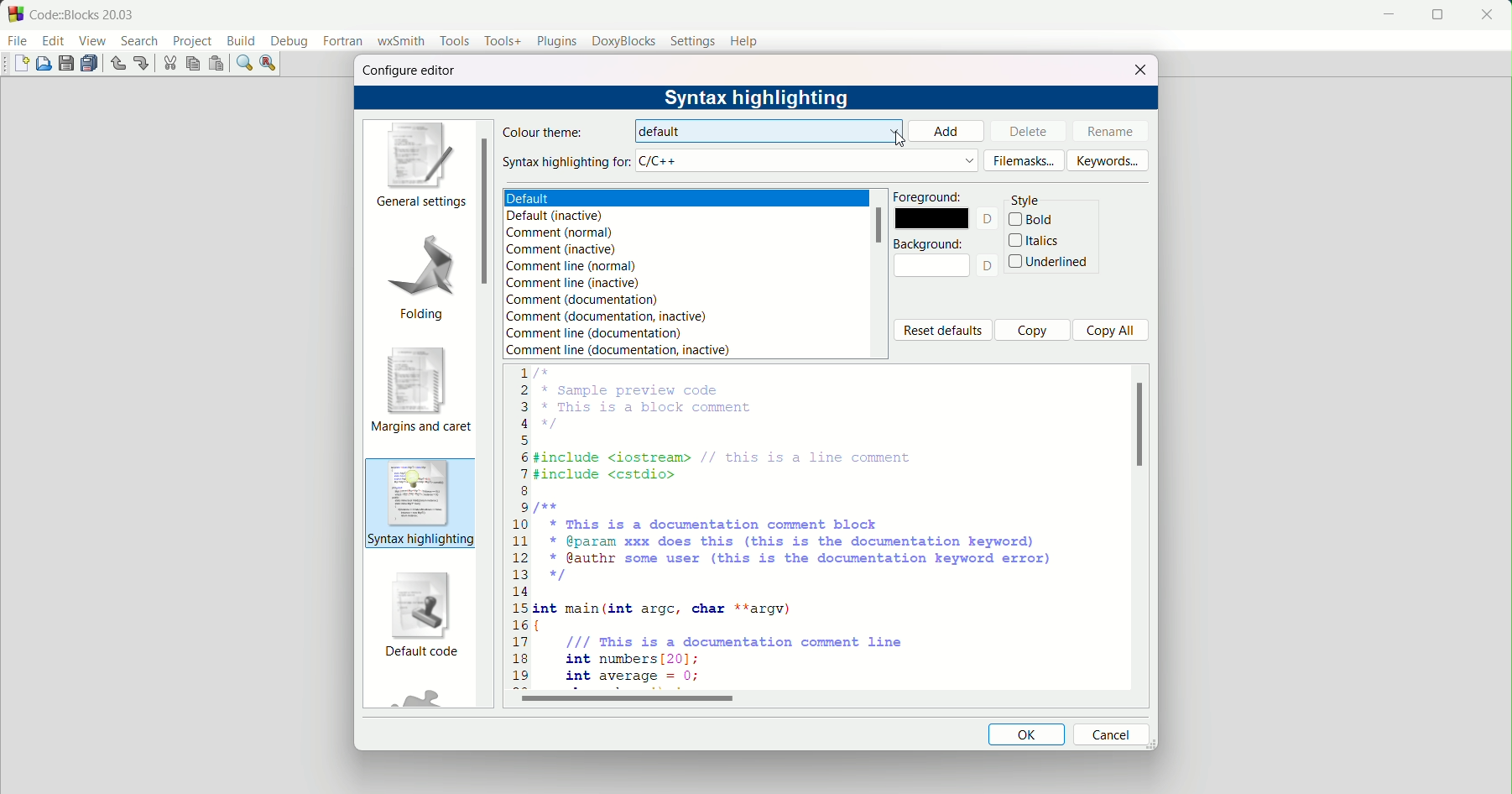 The height and width of the screenshot is (794, 1512). I want to click on project, so click(191, 42).